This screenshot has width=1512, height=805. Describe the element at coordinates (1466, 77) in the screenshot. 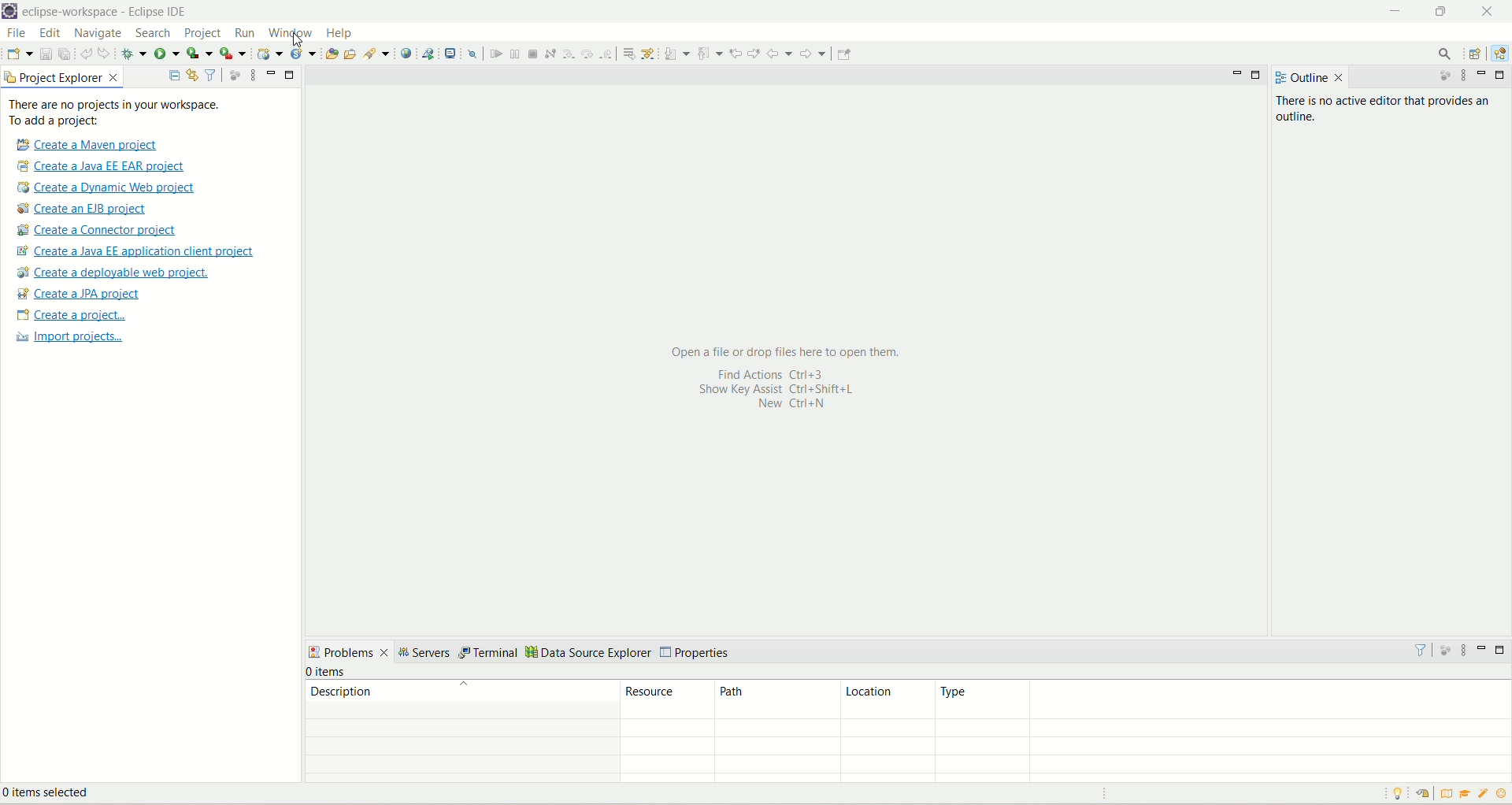

I see `view menu` at that location.